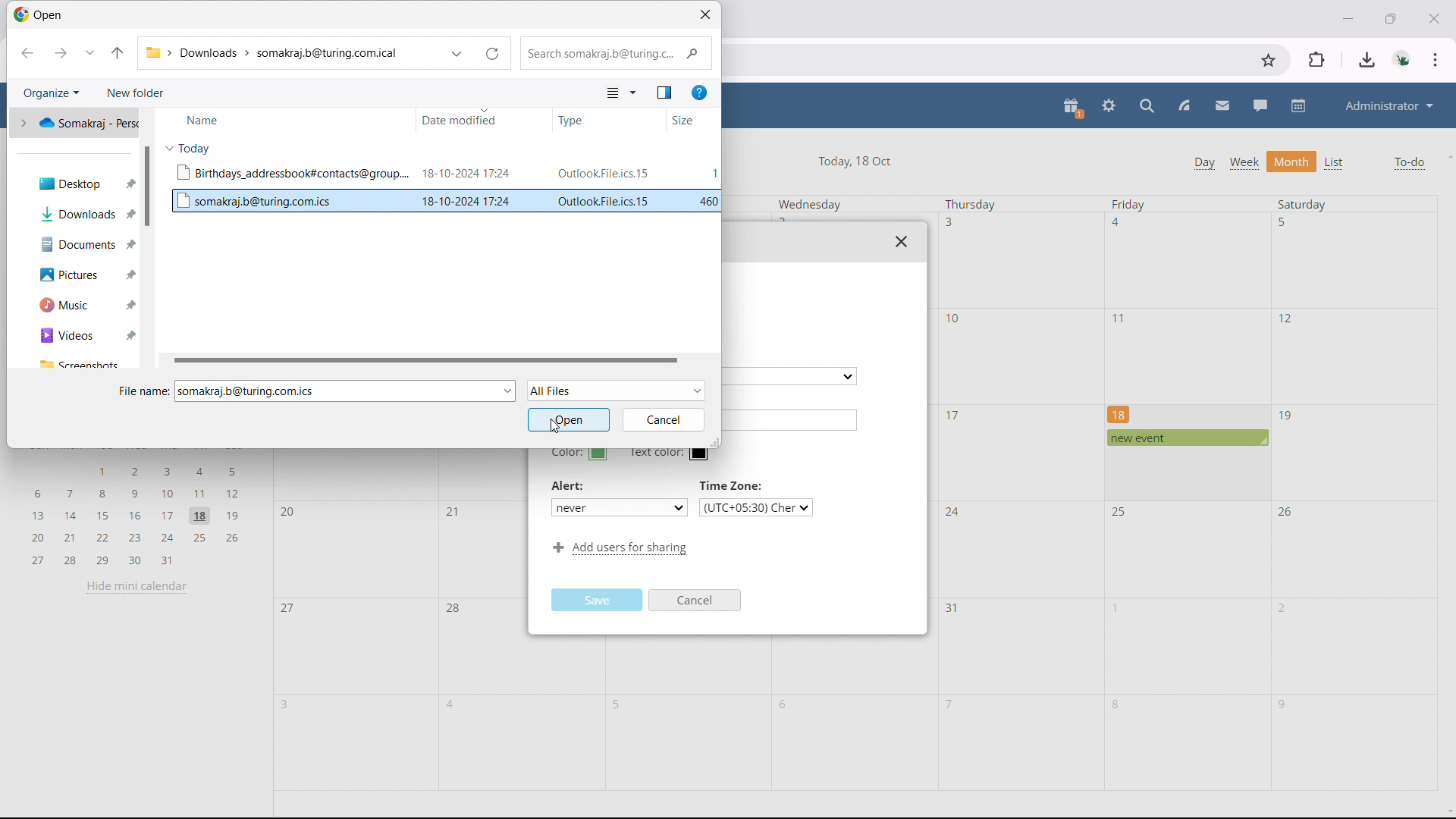  Describe the element at coordinates (568, 419) in the screenshot. I see `open` at that location.